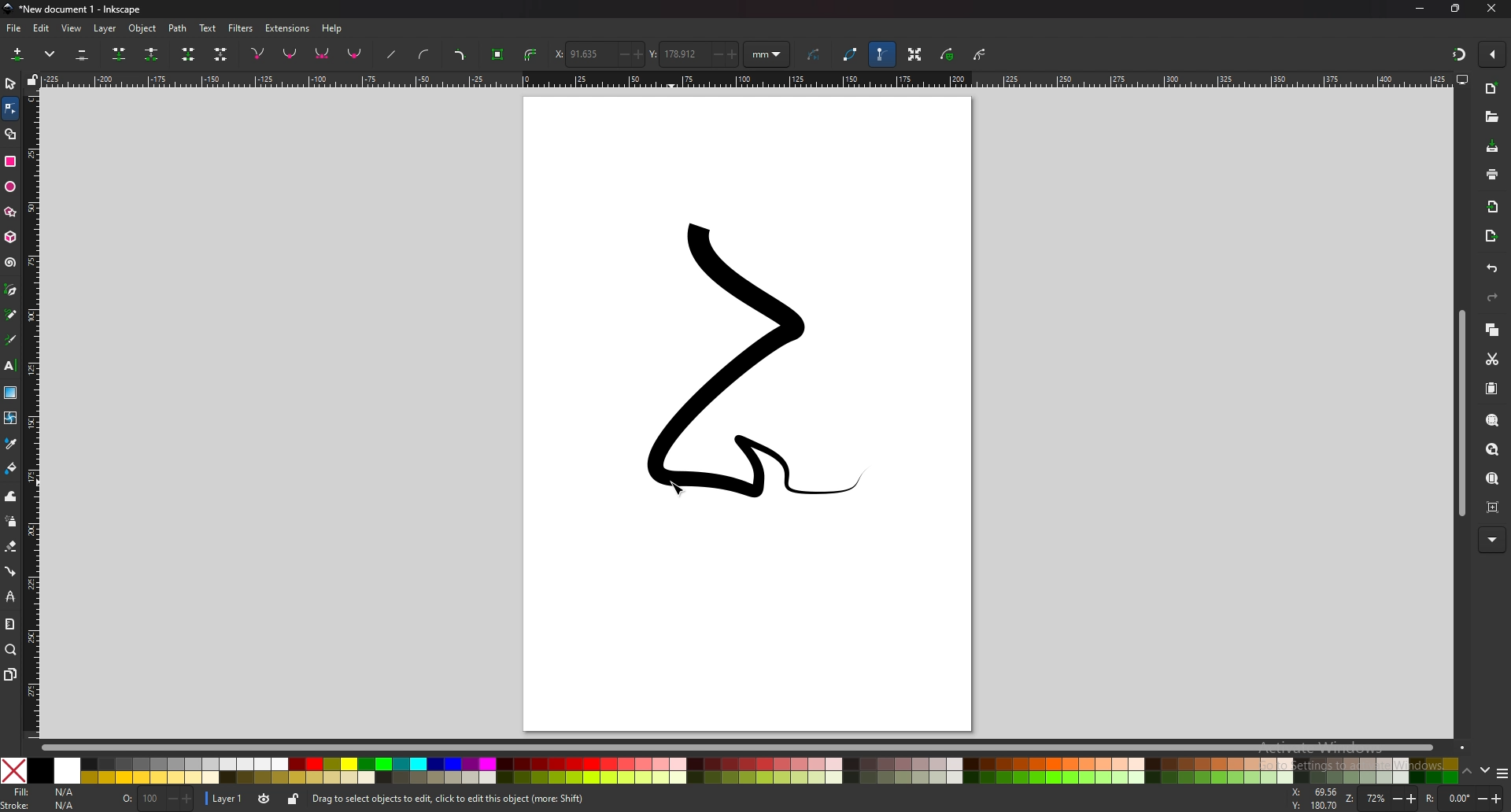  What do you see at coordinates (72, 28) in the screenshot?
I see `view` at bounding box center [72, 28].